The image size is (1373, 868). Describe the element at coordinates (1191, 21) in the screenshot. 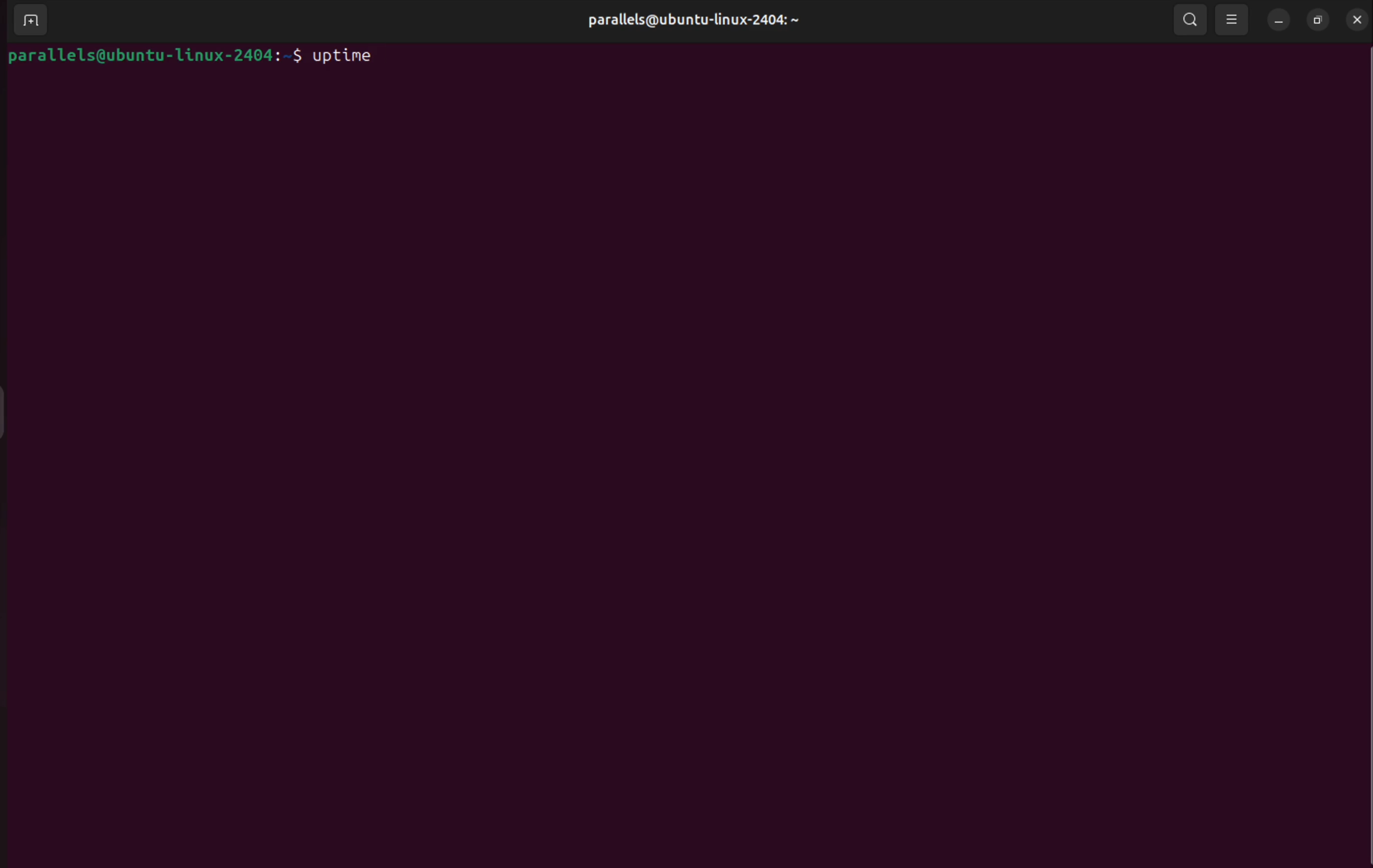

I see `search` at that location.